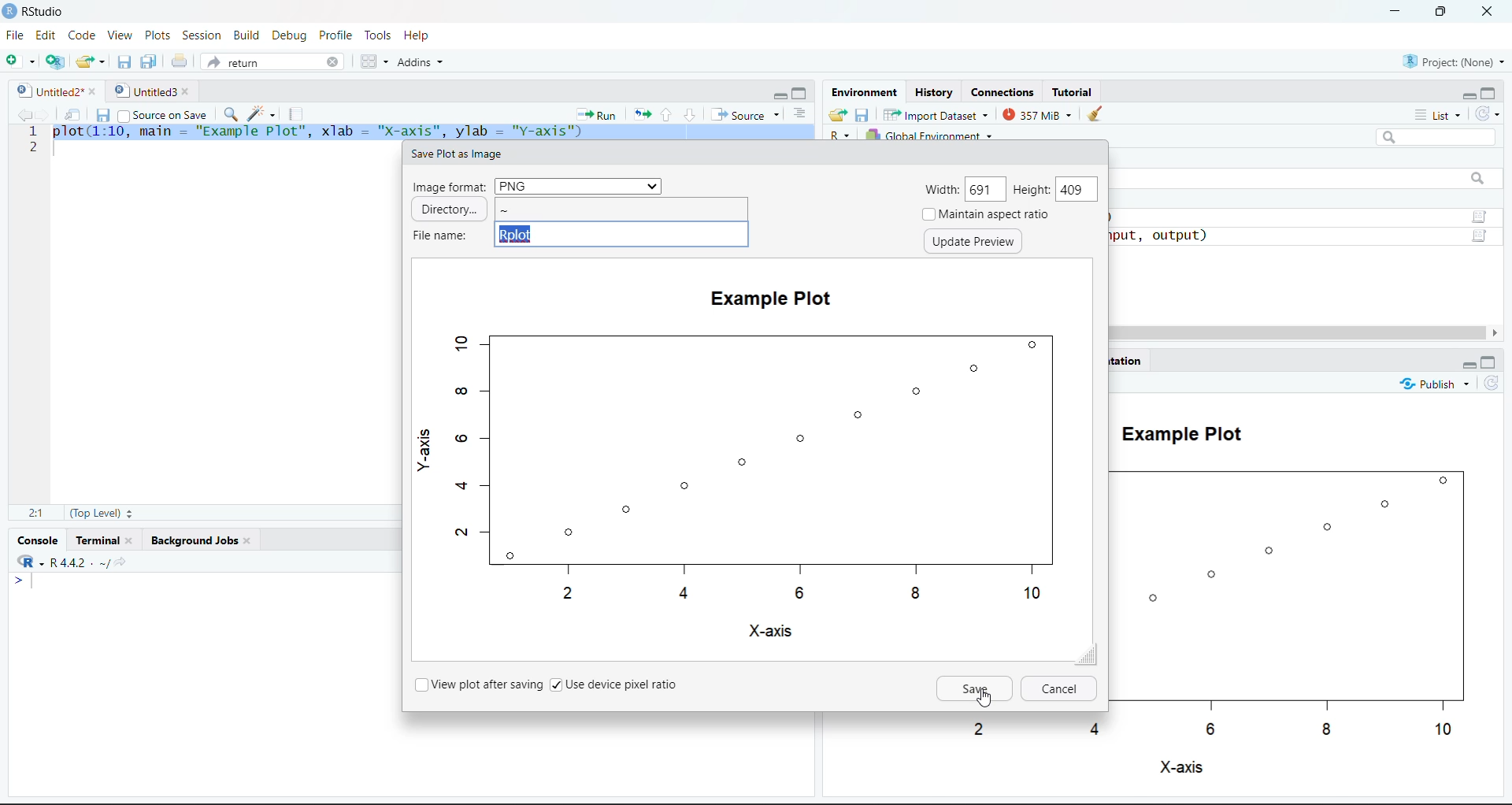 This screenshot has width=1512, height=805. I want to click on Example Plot, so click(1177, 431).